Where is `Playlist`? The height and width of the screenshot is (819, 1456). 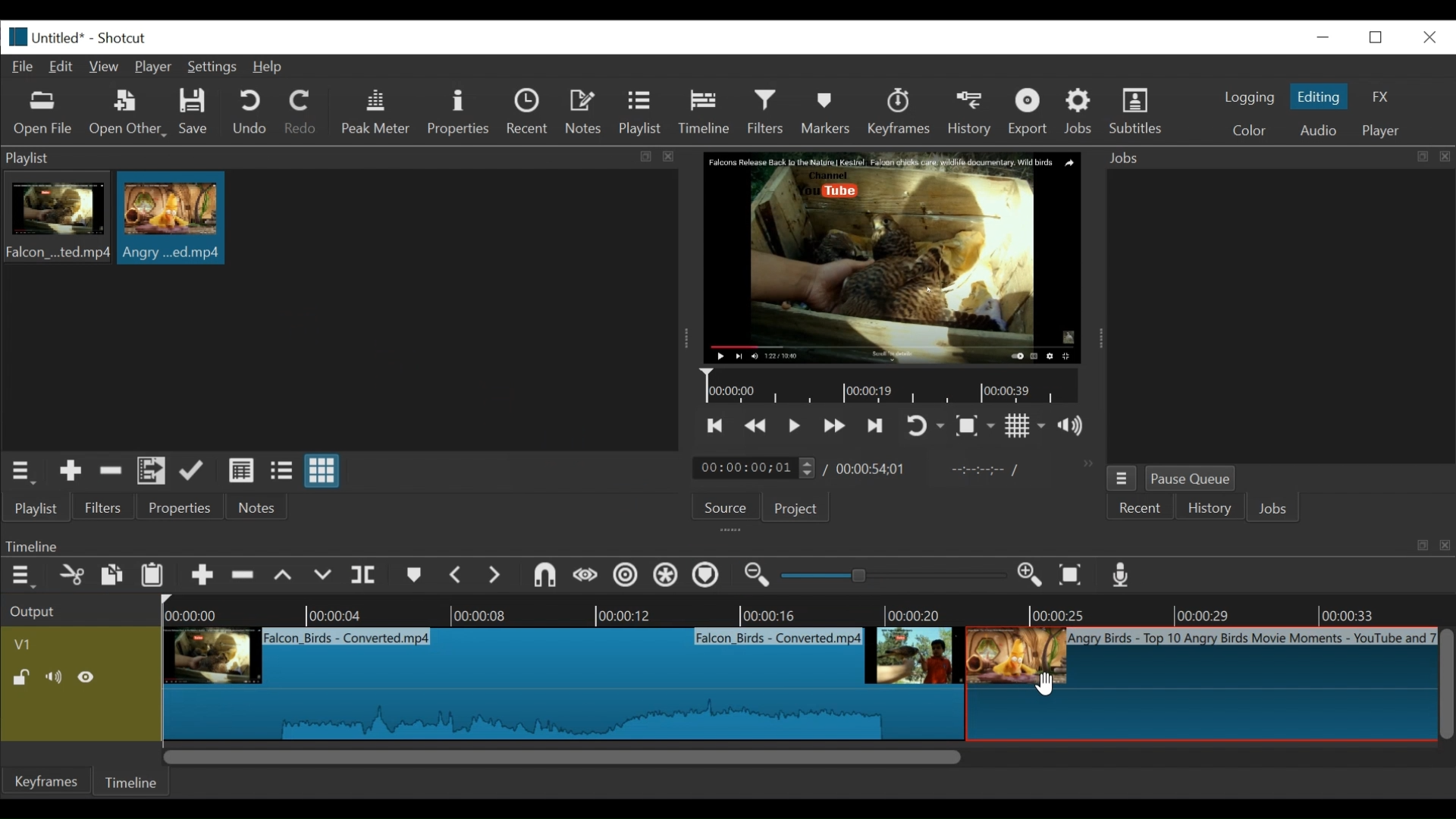 Playlist is located at coordinates (641, 114).